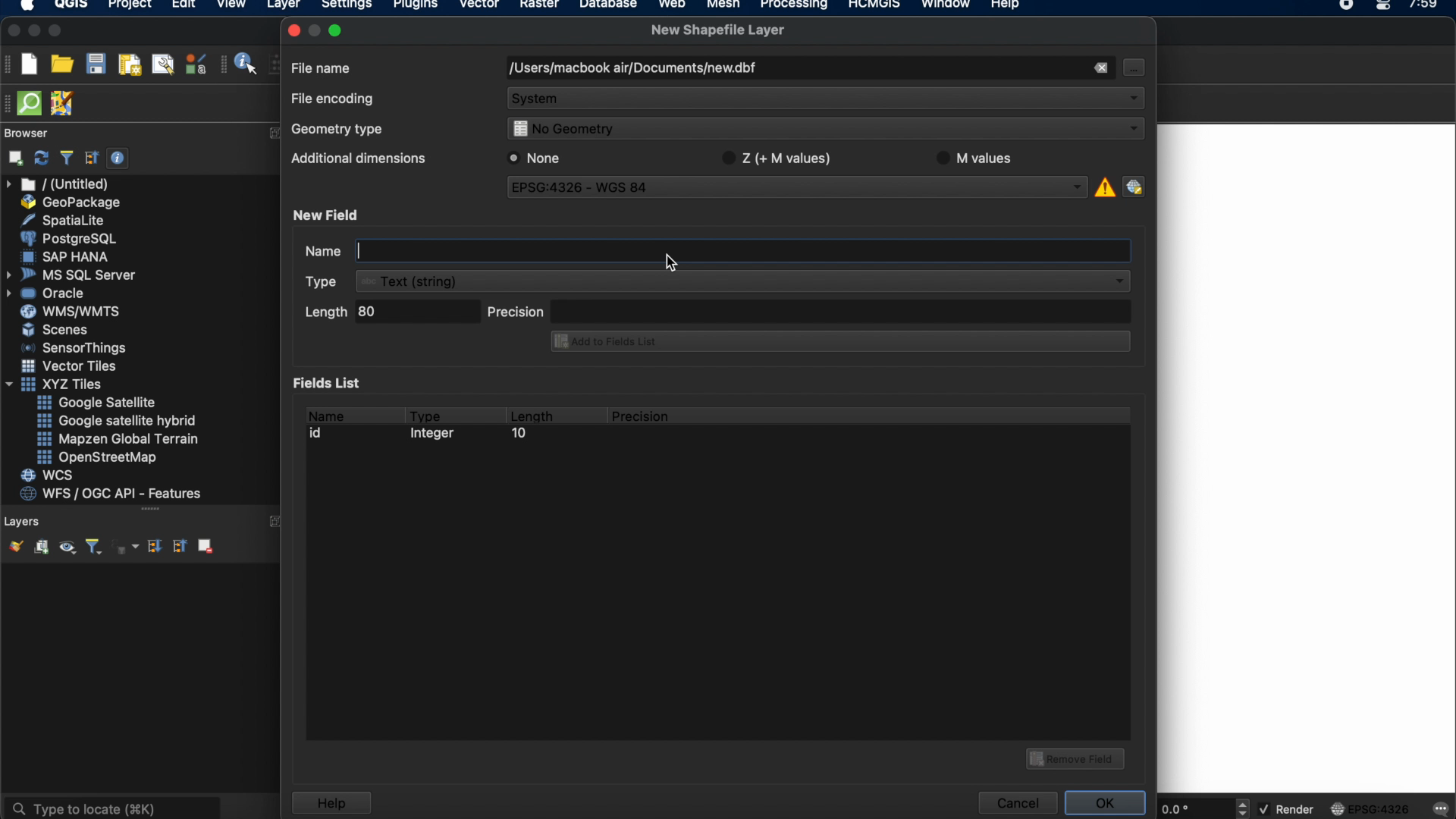 The height and width of the screenshot is (819, 1456). Describe the element at coordinates (838, 343) in the screenshot. I see `inactive add fields list icon` at that location.